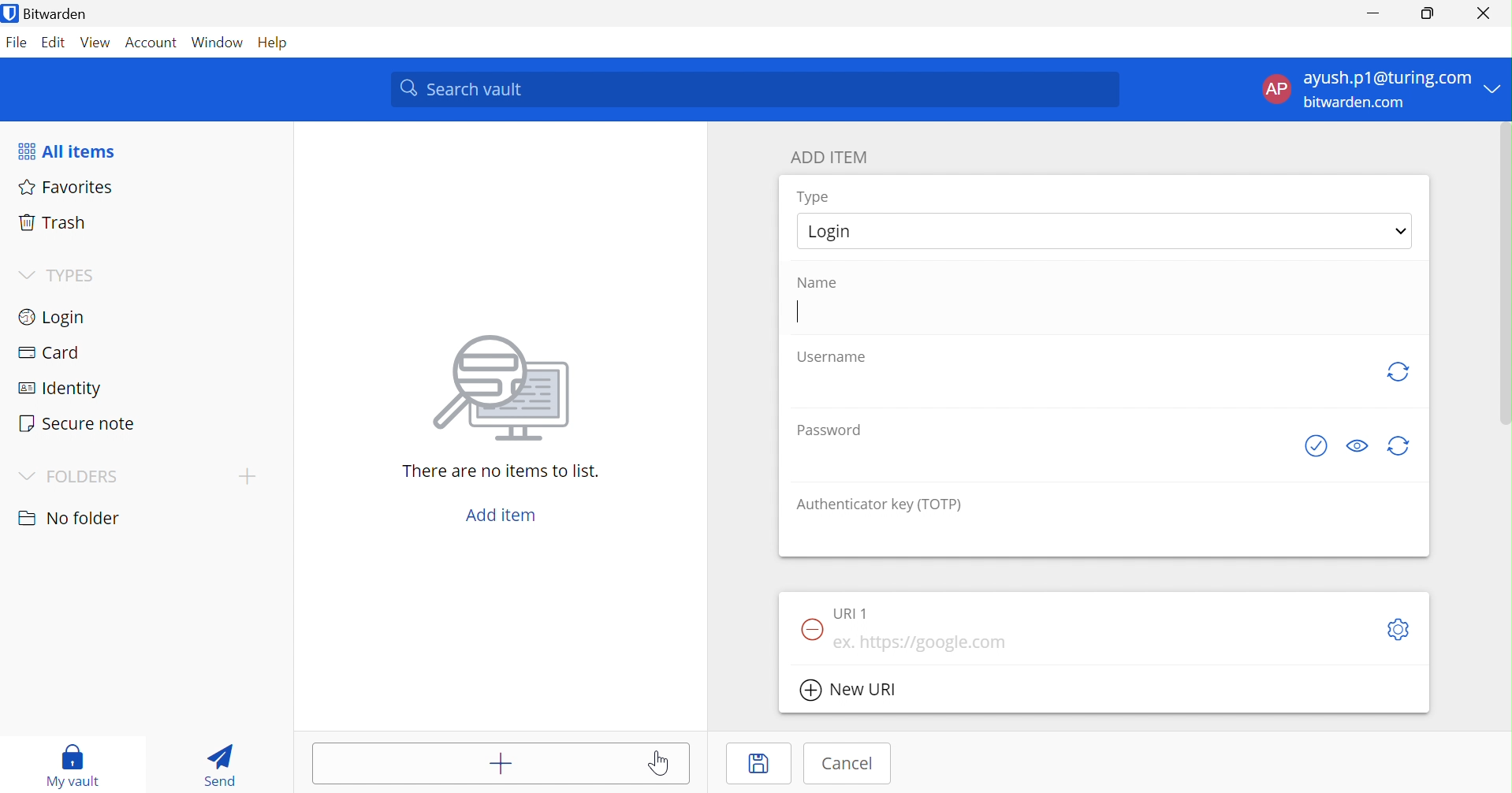  What do you see at coordinates (50, 352) in the screenshot?
I see `Card` at bounding box center [50, 352].